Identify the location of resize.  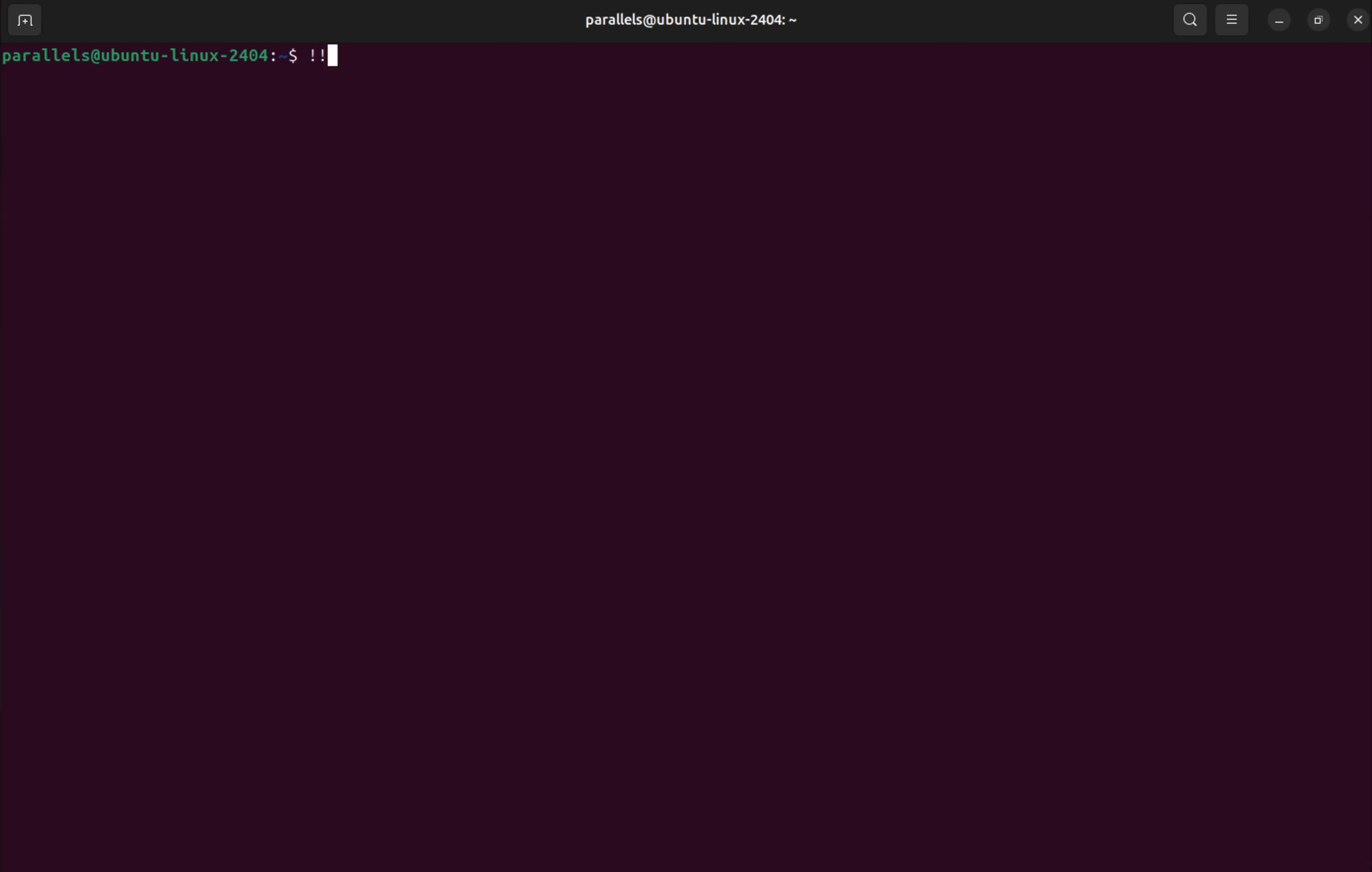
(1322, 21).